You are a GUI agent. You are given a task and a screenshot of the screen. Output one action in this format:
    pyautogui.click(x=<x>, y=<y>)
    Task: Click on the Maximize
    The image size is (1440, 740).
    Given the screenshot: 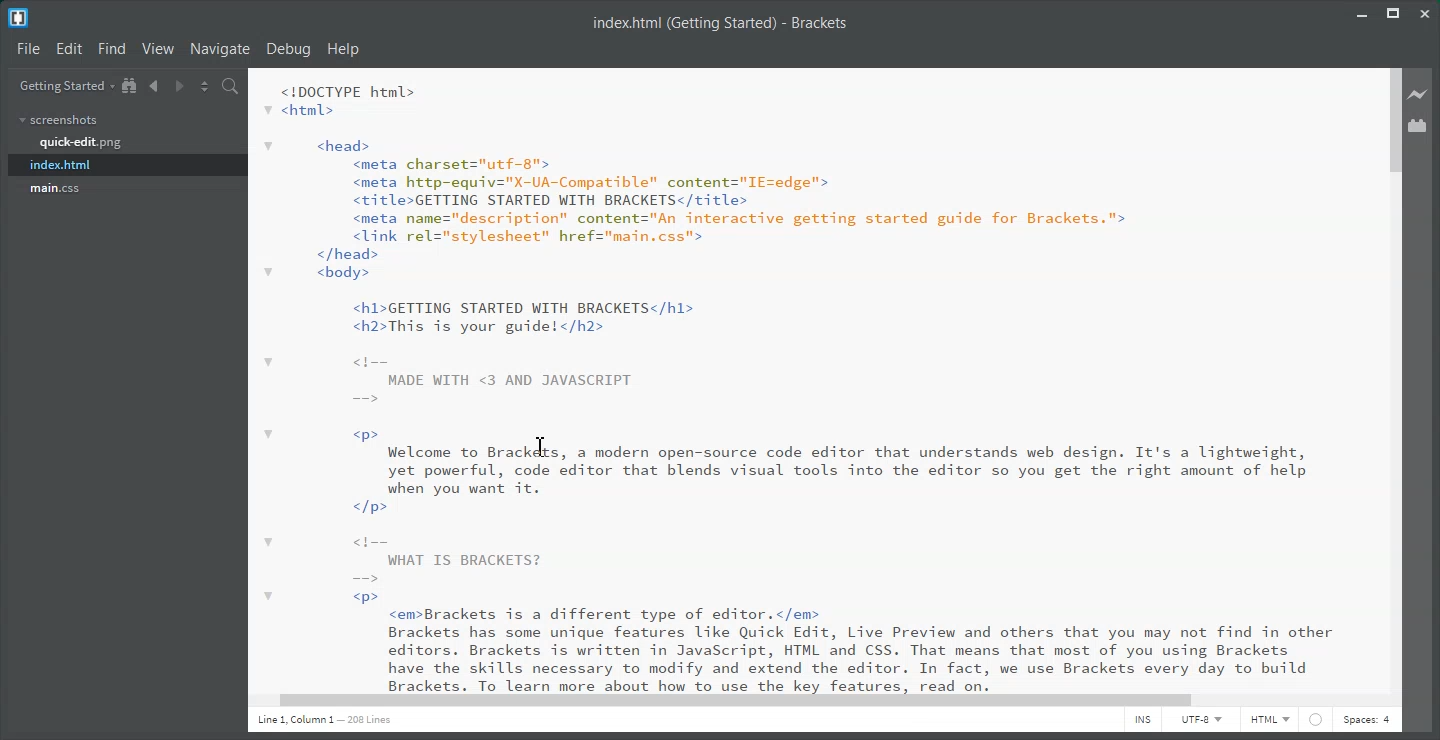 What is the action you would take?
    pyautogui.click(x=1396, y=14)
    